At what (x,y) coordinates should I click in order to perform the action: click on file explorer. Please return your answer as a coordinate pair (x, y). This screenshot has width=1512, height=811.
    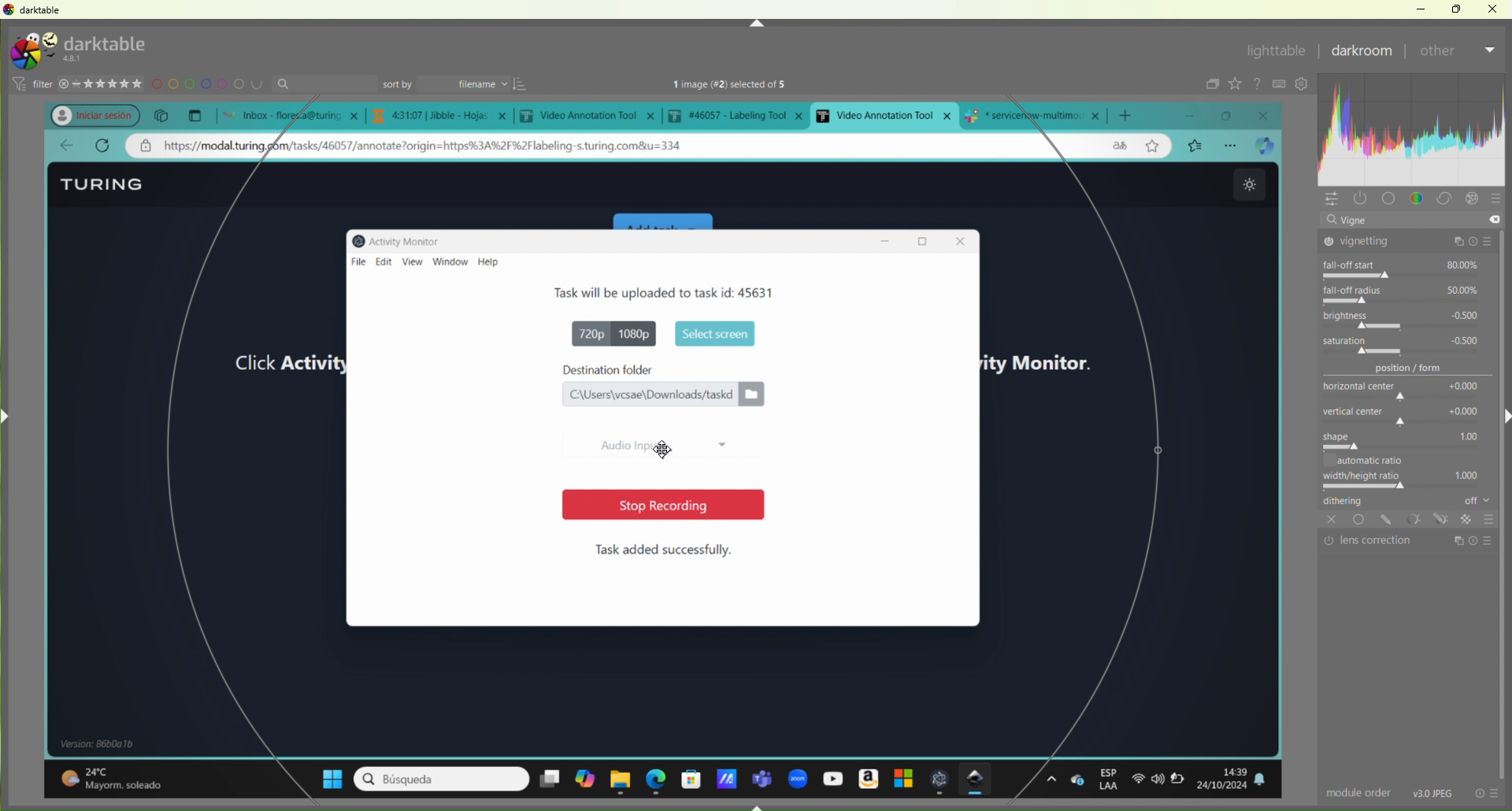
    Looking at the image, I should click on (622, 779).